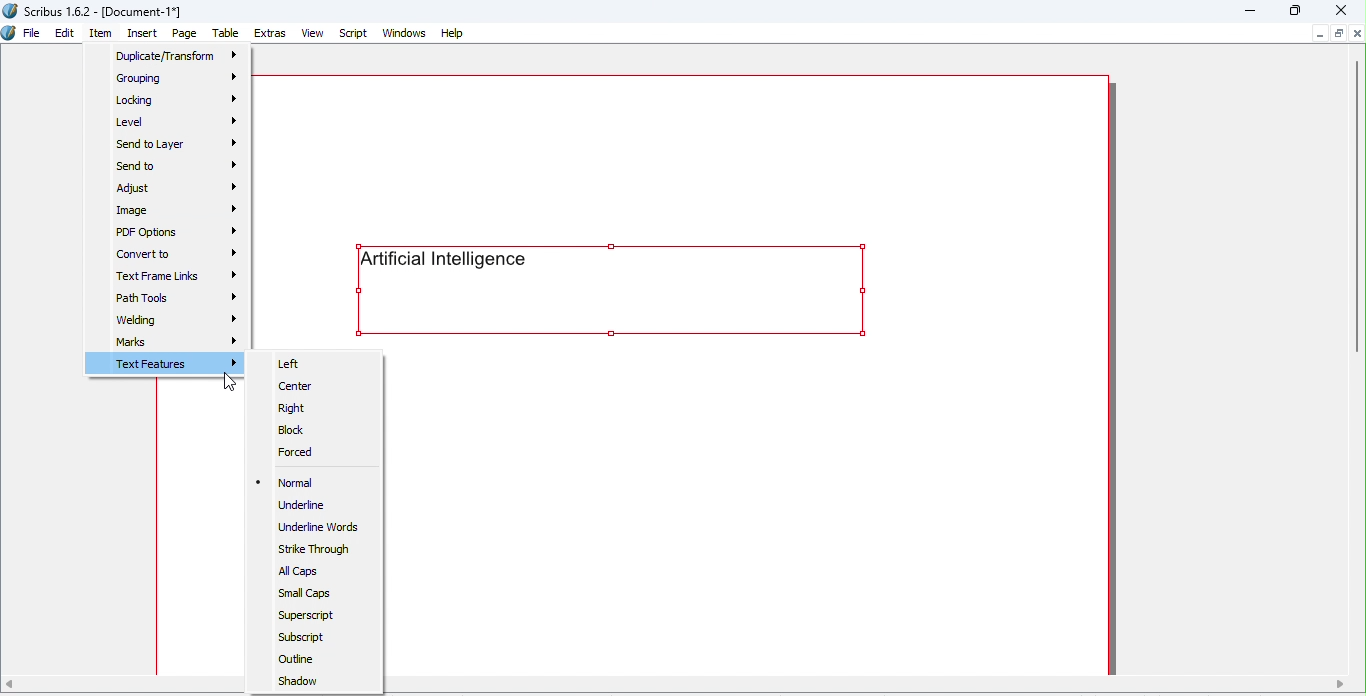 The width and height of the screenshot is (1366, 696). I want to click on Underline words, so click(326, 527).